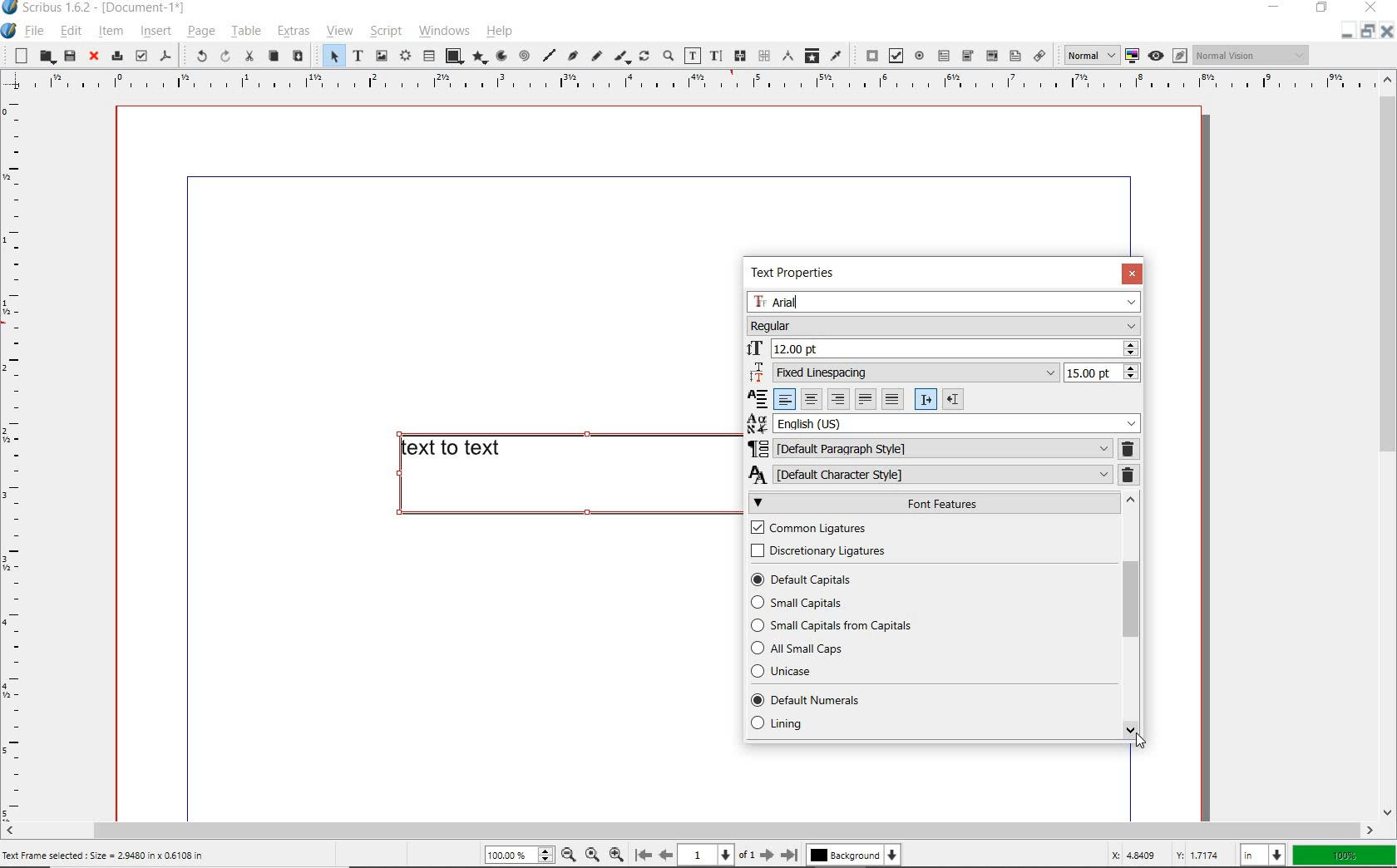  I want to click on 12.00 pt, so click(942, 349).